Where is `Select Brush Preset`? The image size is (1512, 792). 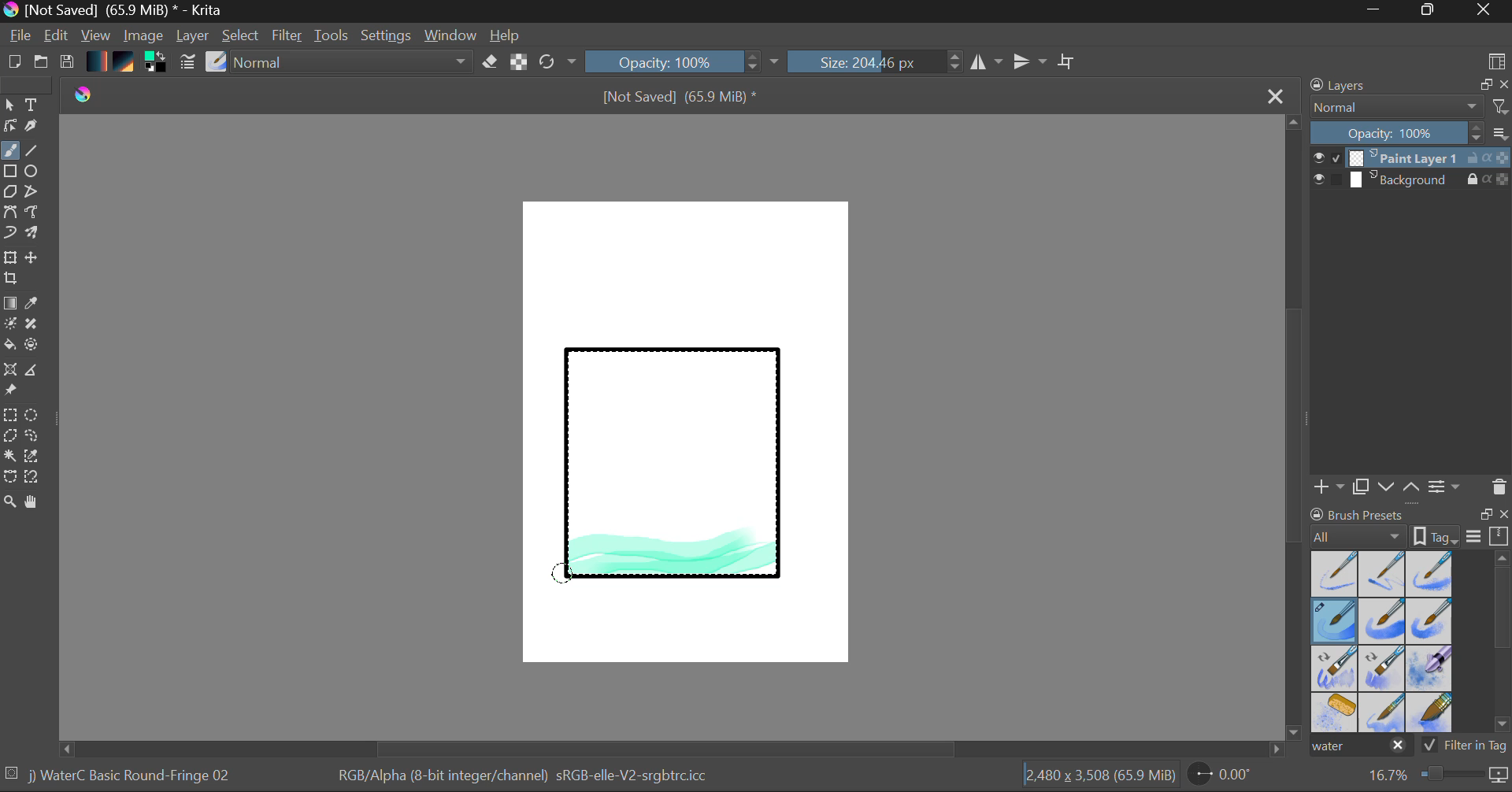 Select Brush Preset is located at coordinates (217, 62).